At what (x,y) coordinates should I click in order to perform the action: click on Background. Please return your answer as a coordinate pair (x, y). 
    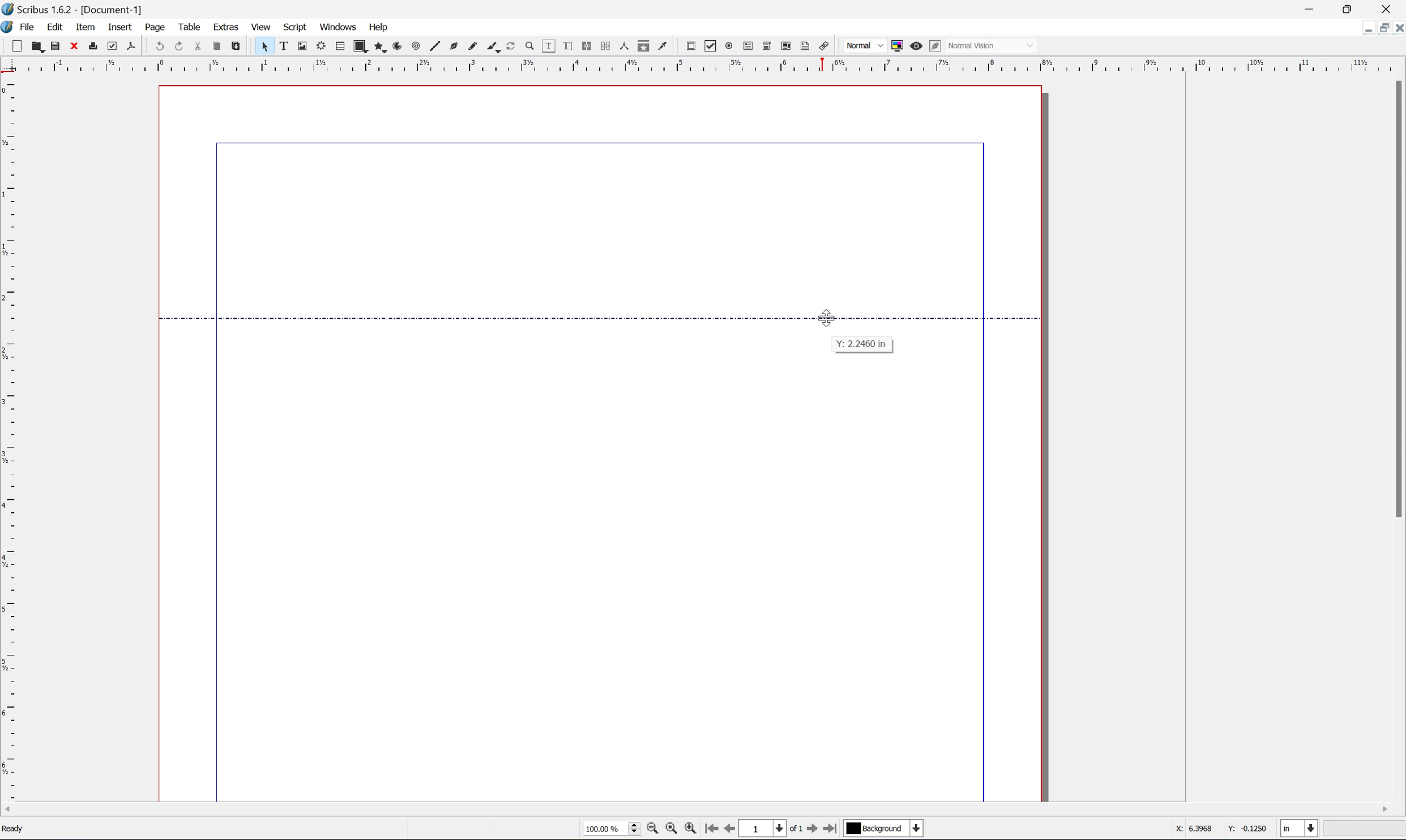
    Looking at the image, I should click on (883, 829).